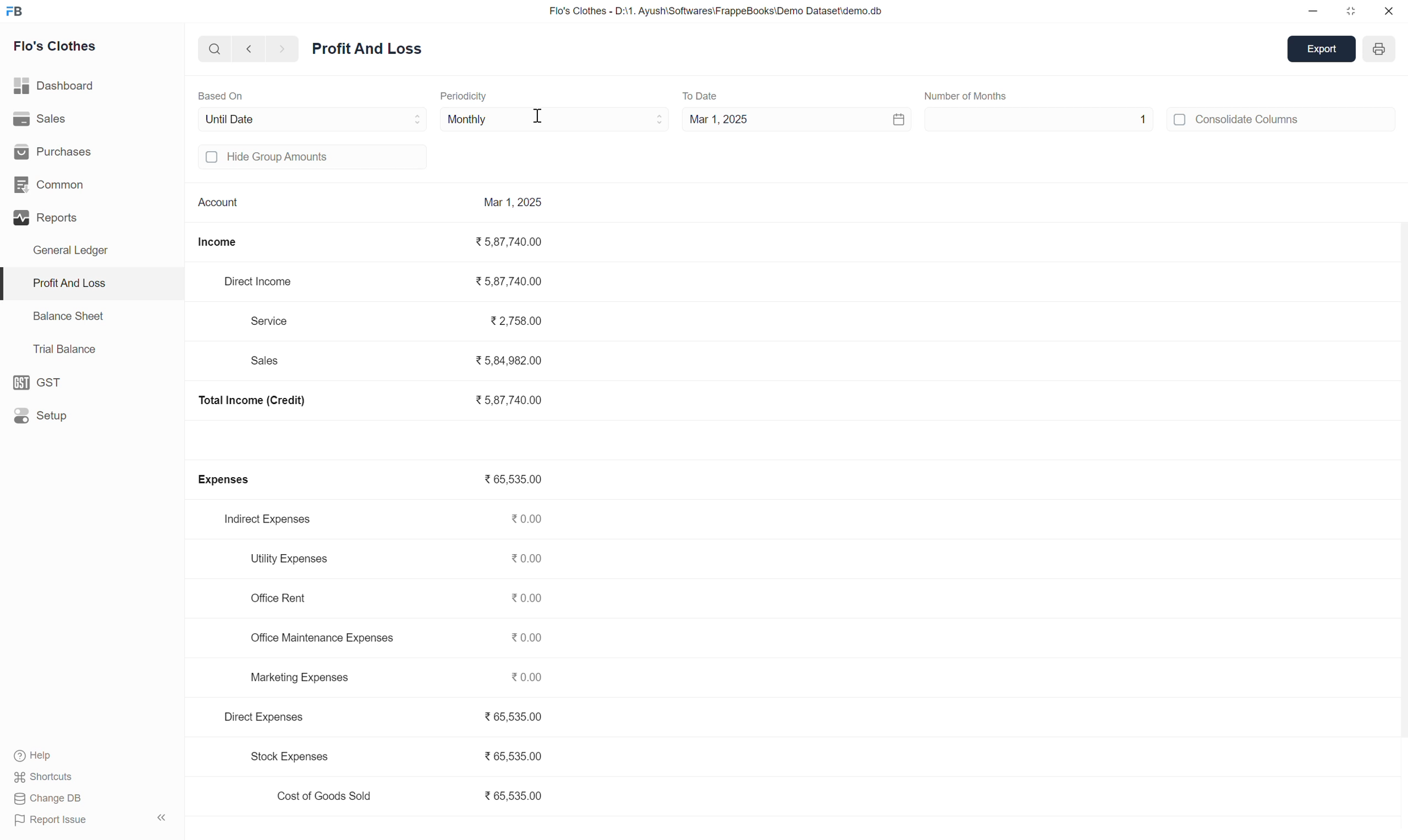  What do you see at coordinates (371, 52) in the screenshot?
I see `Profit and Loss` at bounding box center [371, 52].